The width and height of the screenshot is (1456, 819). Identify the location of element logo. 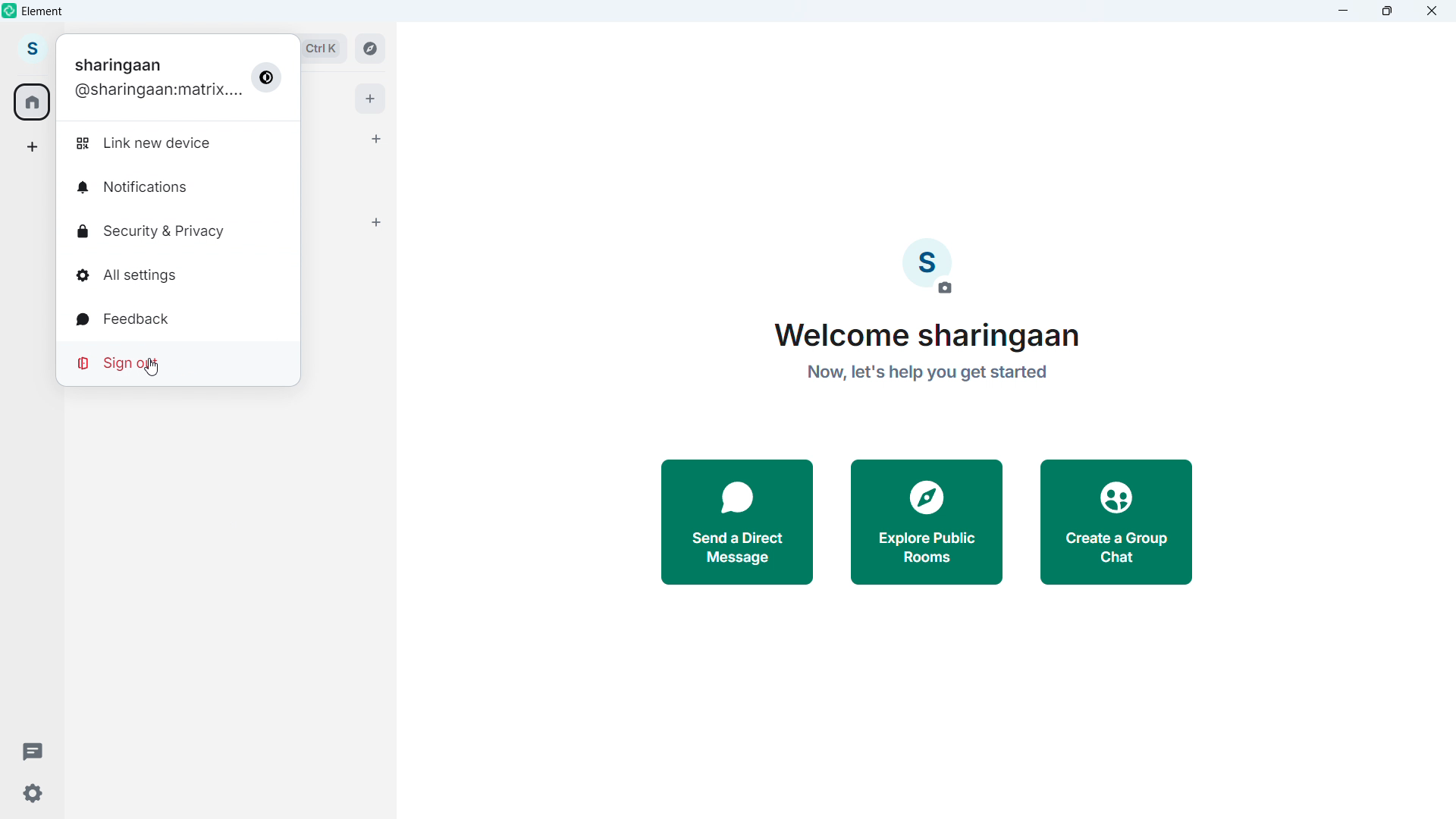
(11, 11).